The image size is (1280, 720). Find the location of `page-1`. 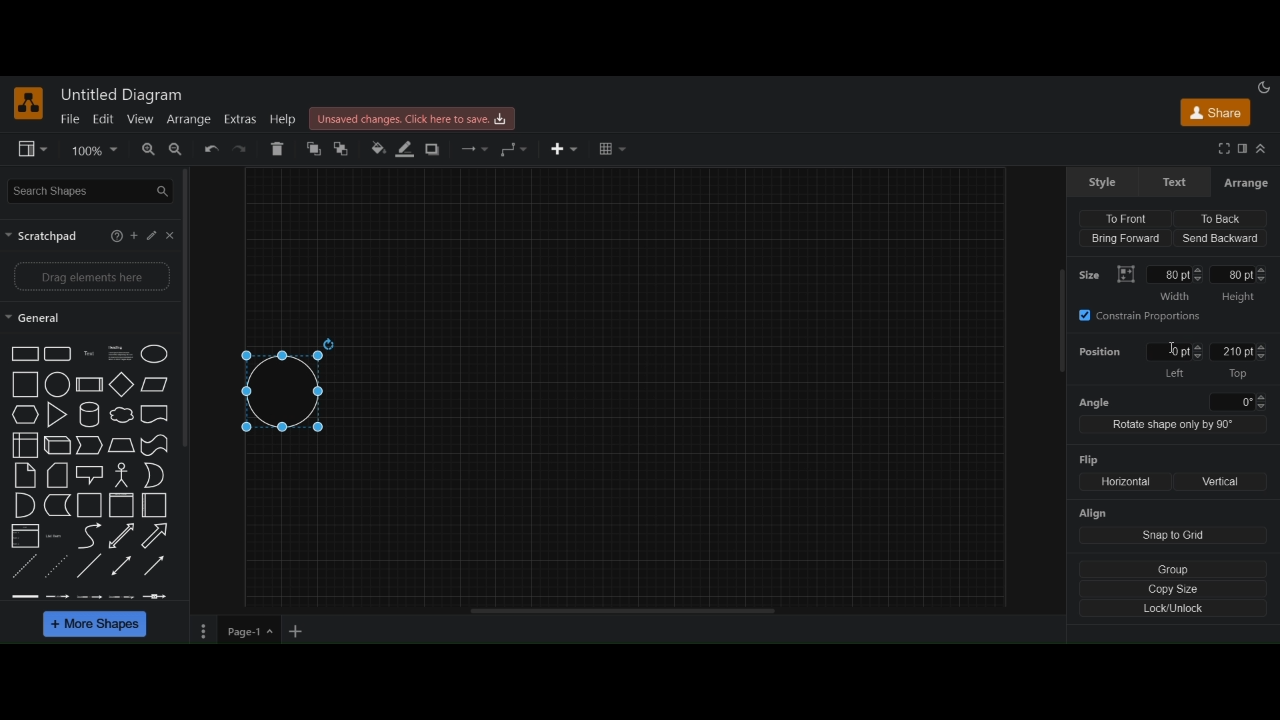

page-1 is located at coordinates (251, 631).